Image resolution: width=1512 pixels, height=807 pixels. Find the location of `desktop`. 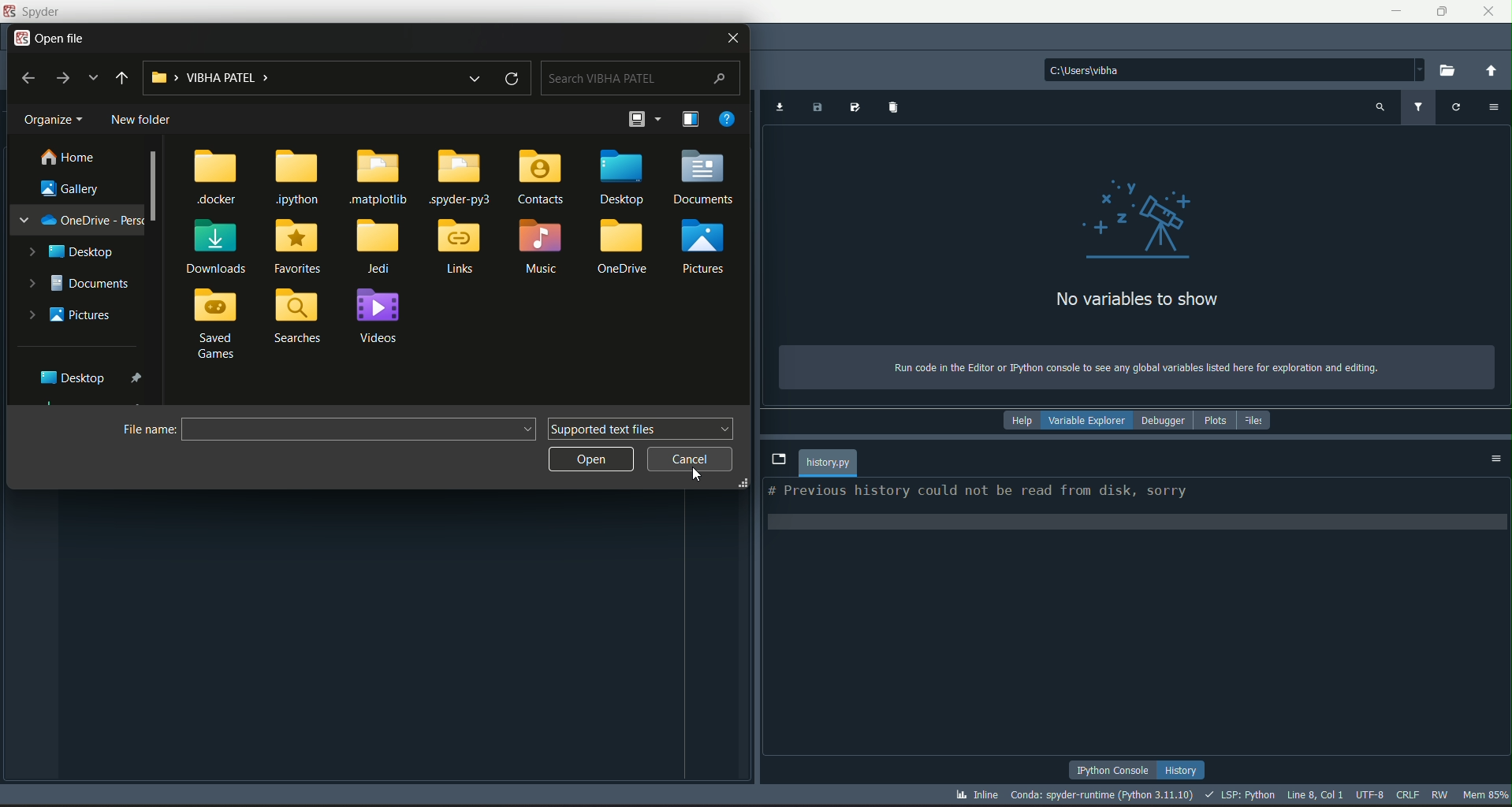

desktop is located at coordinates (73, 250).